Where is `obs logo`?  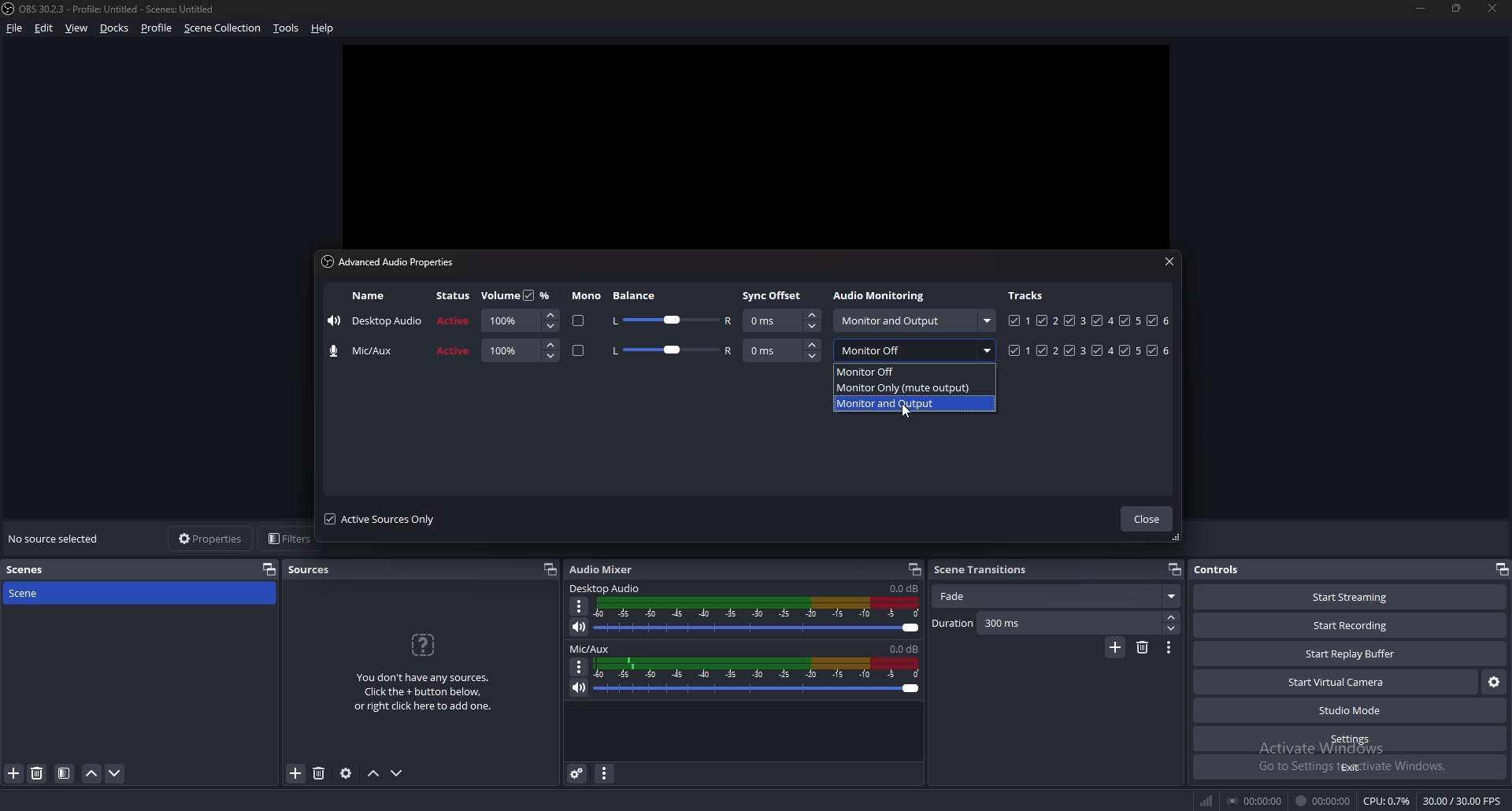 obs logo is located at coordinates (10, 9).